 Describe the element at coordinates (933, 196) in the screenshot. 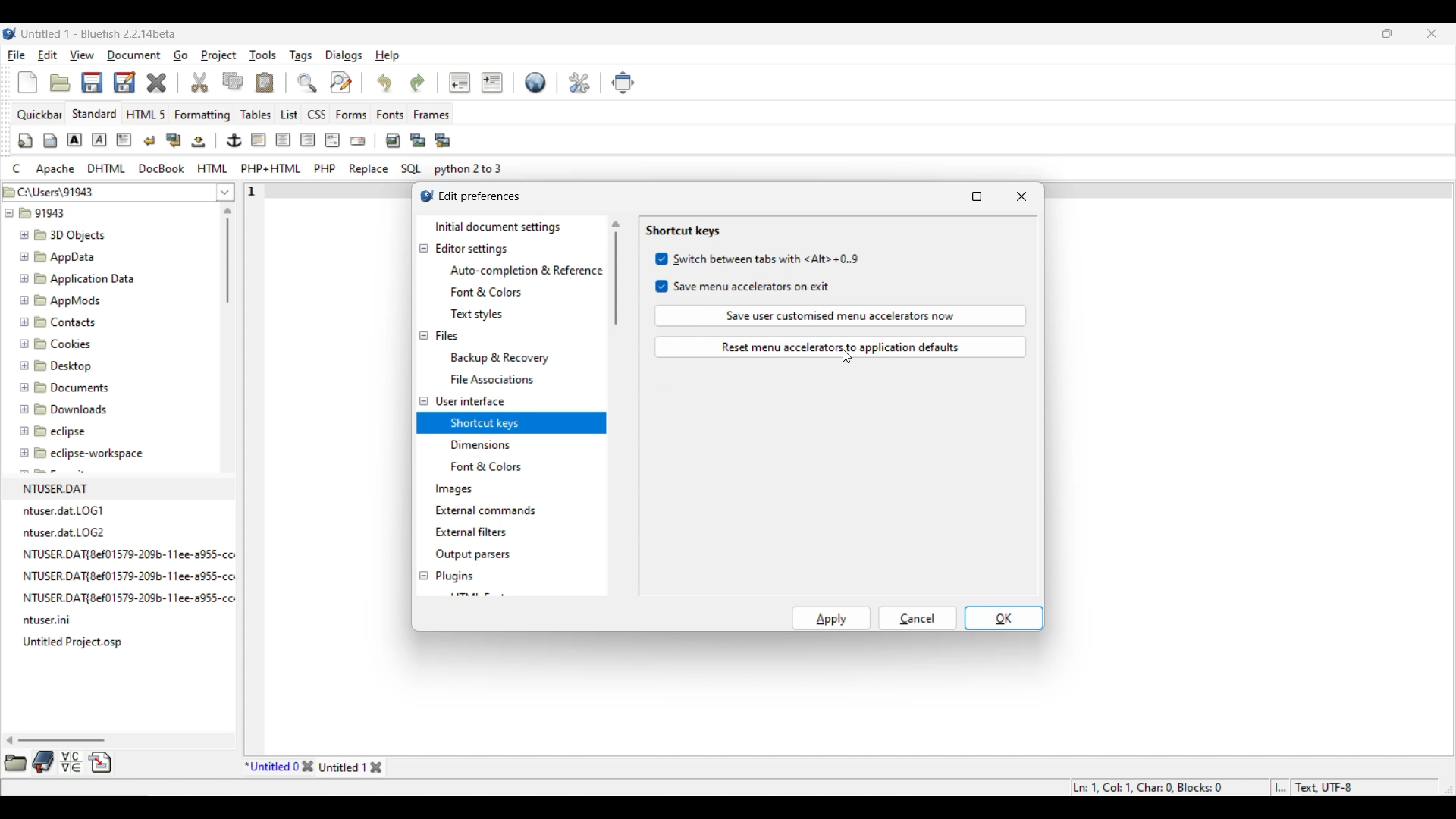

I see `Minimize` at that location.